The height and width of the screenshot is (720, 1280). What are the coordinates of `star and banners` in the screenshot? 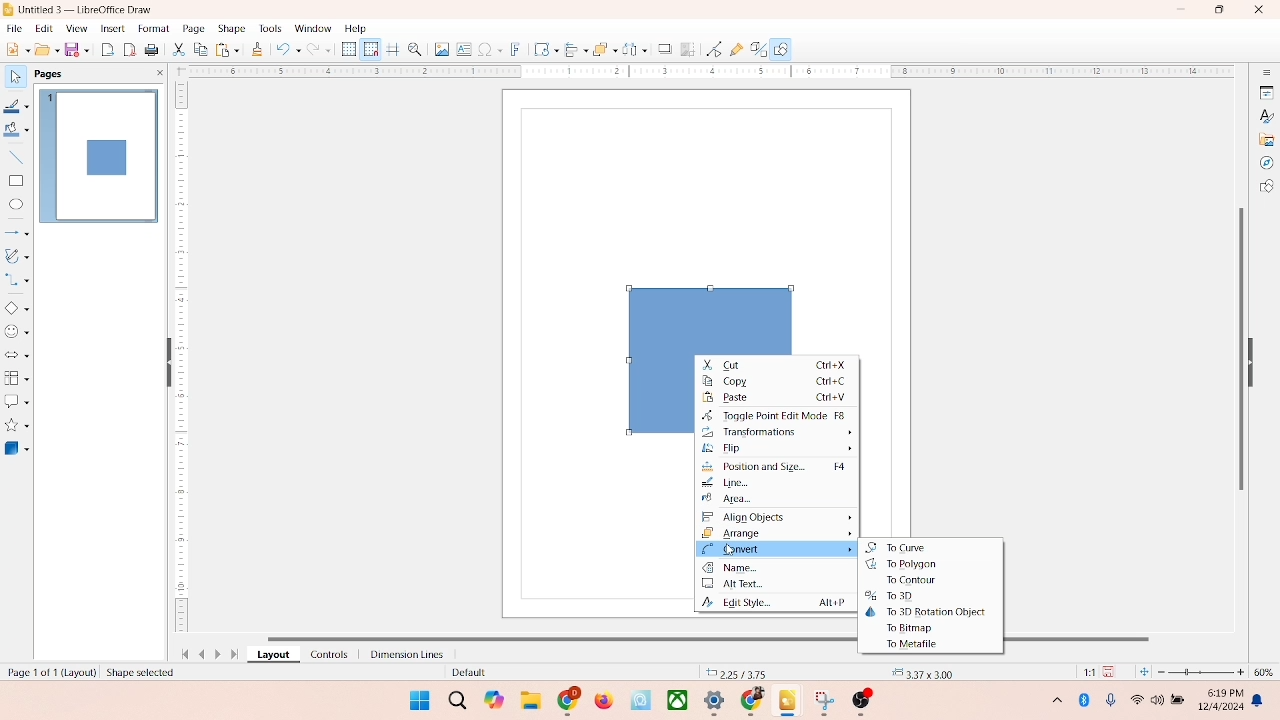 It's located at (19, 425).